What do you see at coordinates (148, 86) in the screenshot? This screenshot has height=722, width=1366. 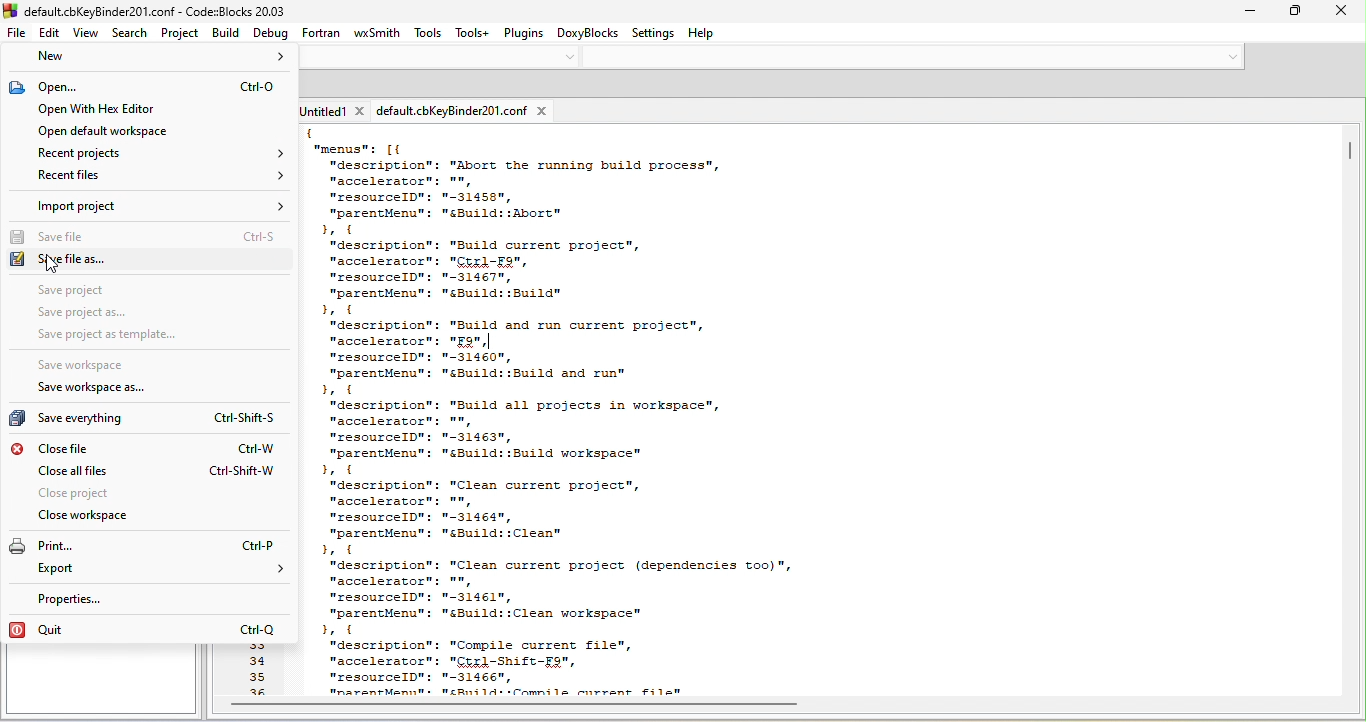 I see `open` at bounding box center [148, 86].